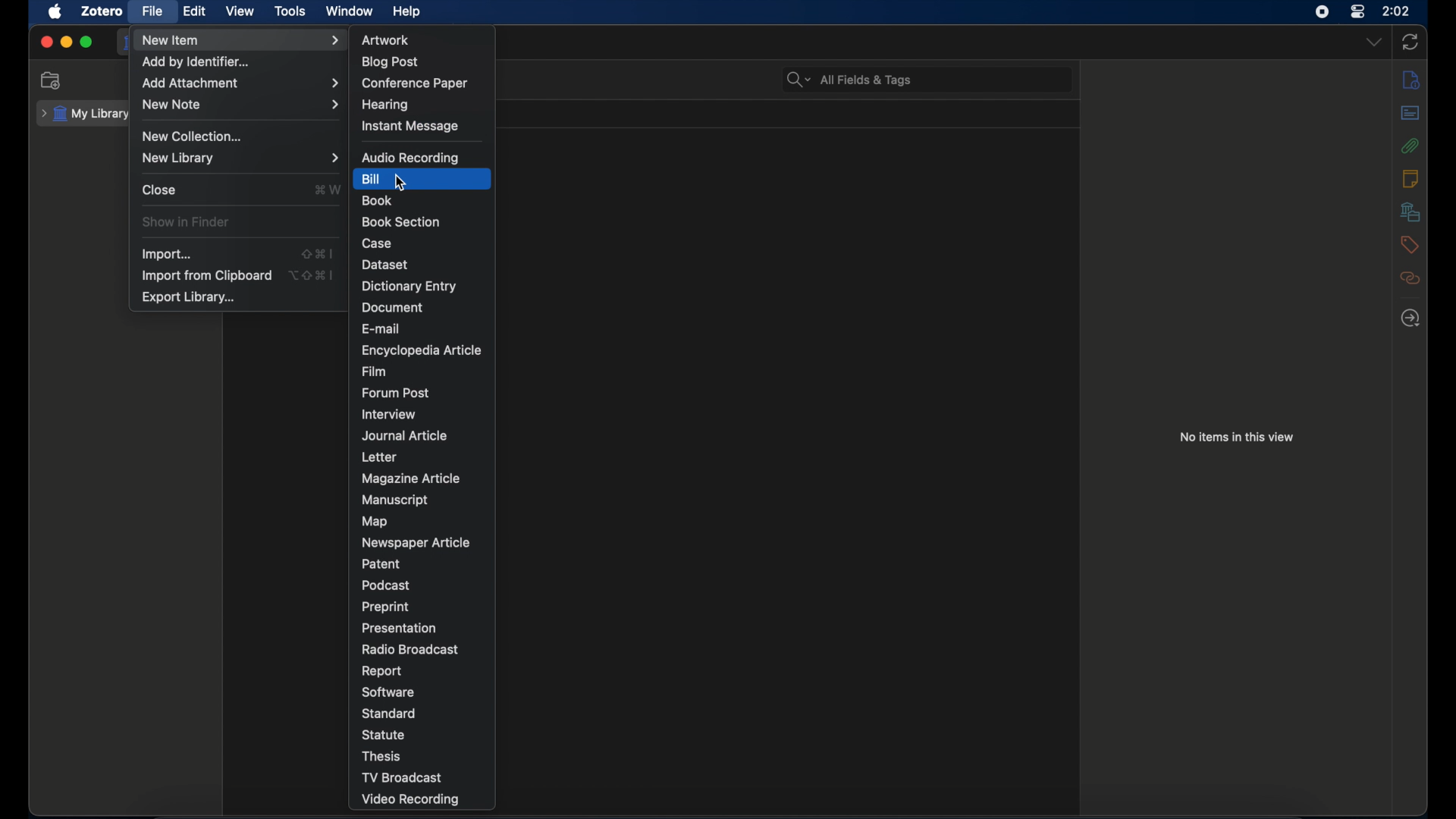 This screenshot has height=819, width=1456. Describe the element at coordinates (197, 63) in the screenshot. I see `add by identifier` at that location.